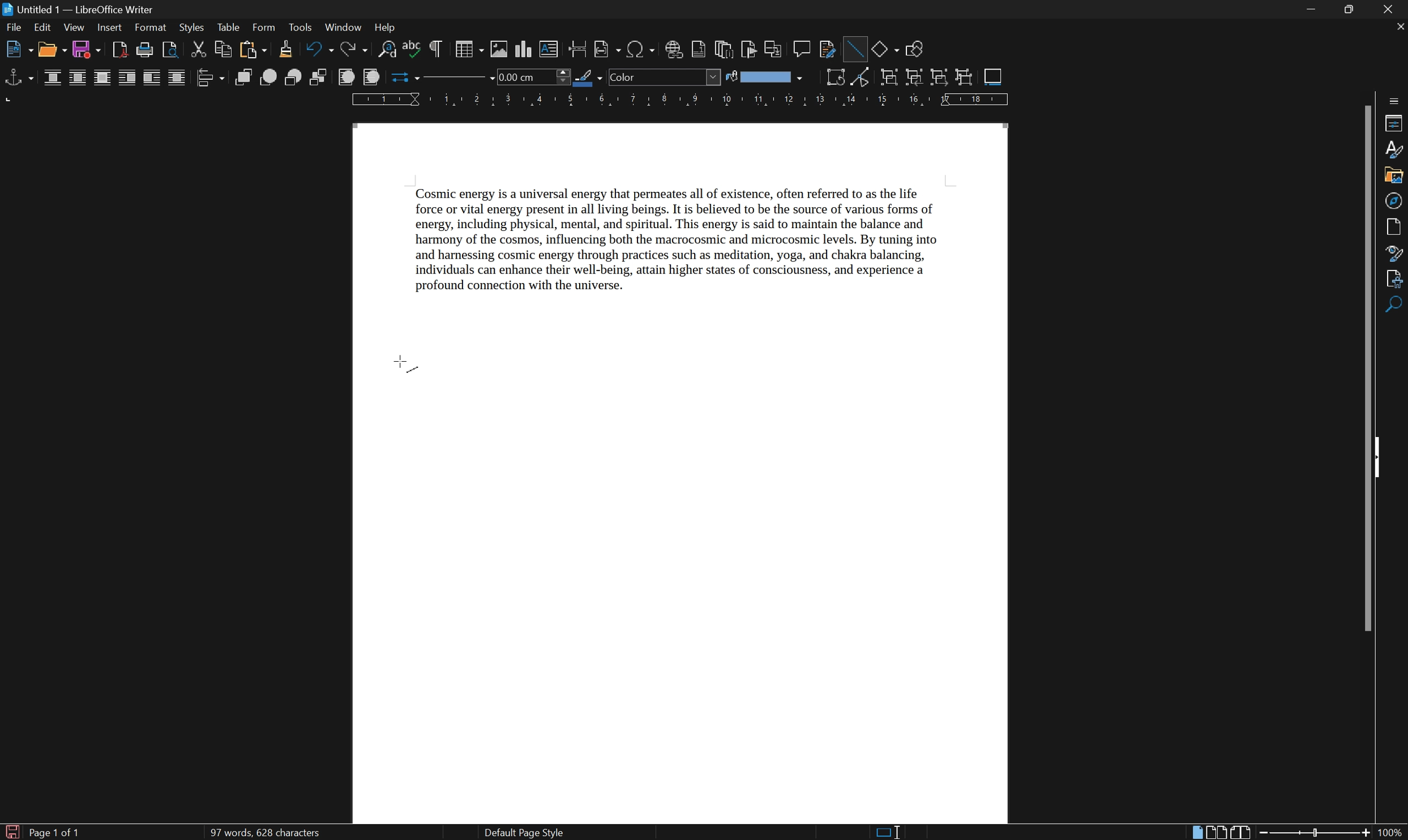 The image size is (1408, 840). What do you see at coordinates (1397, 226) in the screenshot?
I see `page` at bounding box center [1397, 226].